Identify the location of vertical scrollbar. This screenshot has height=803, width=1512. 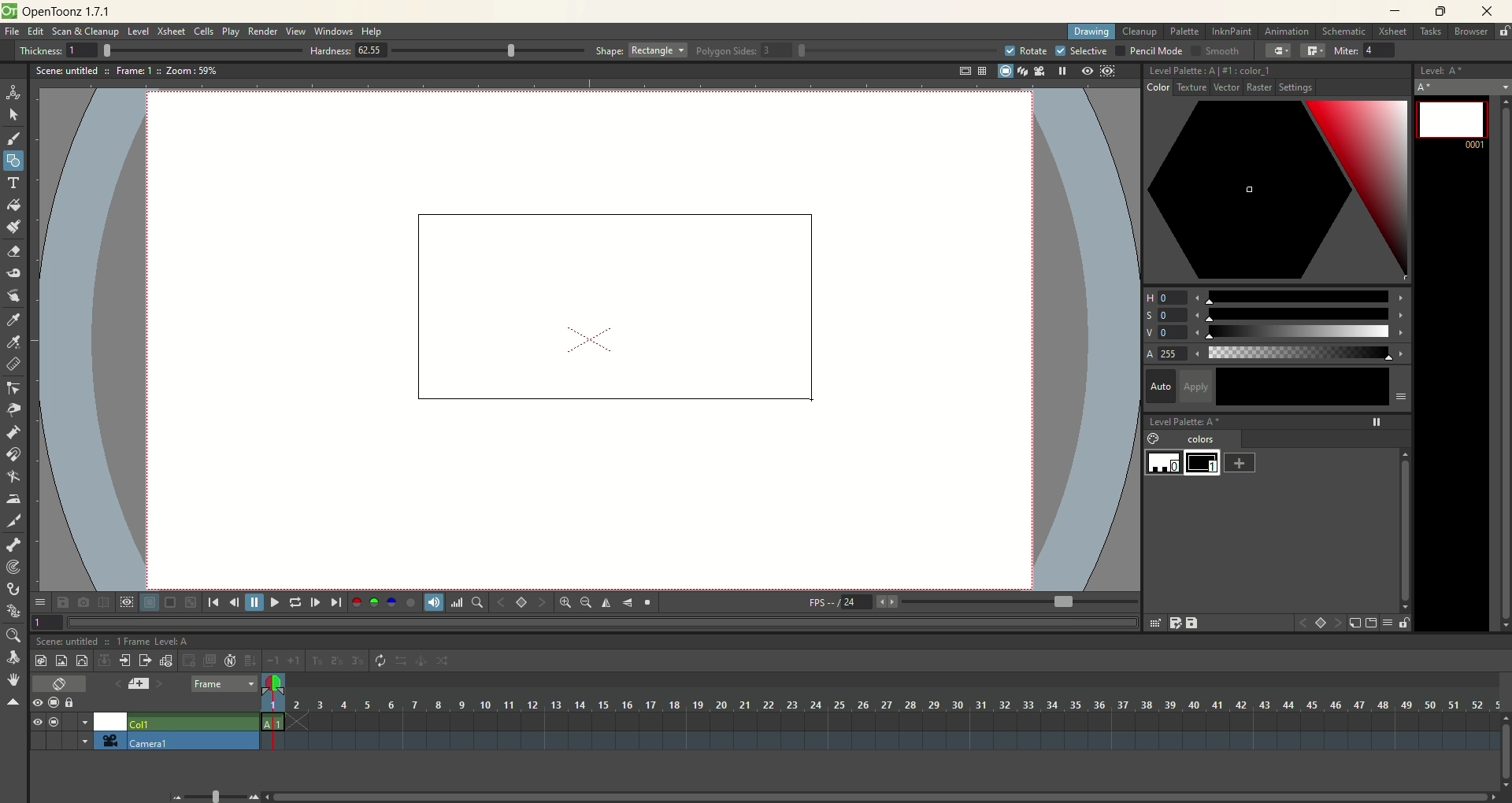
(1503, 764).